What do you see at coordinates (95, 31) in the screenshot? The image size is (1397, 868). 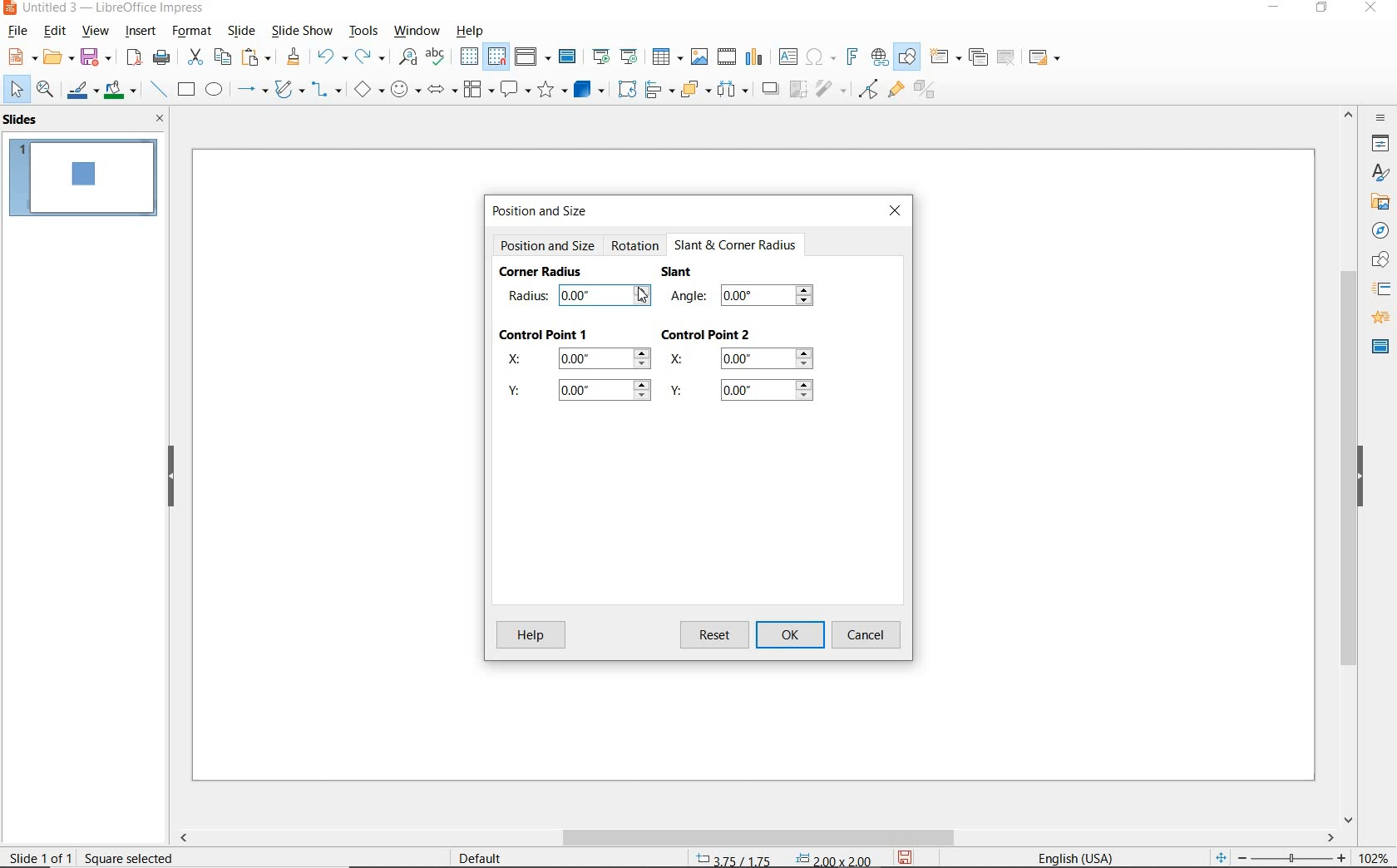 I see `view` at bounding box center [95, 31].